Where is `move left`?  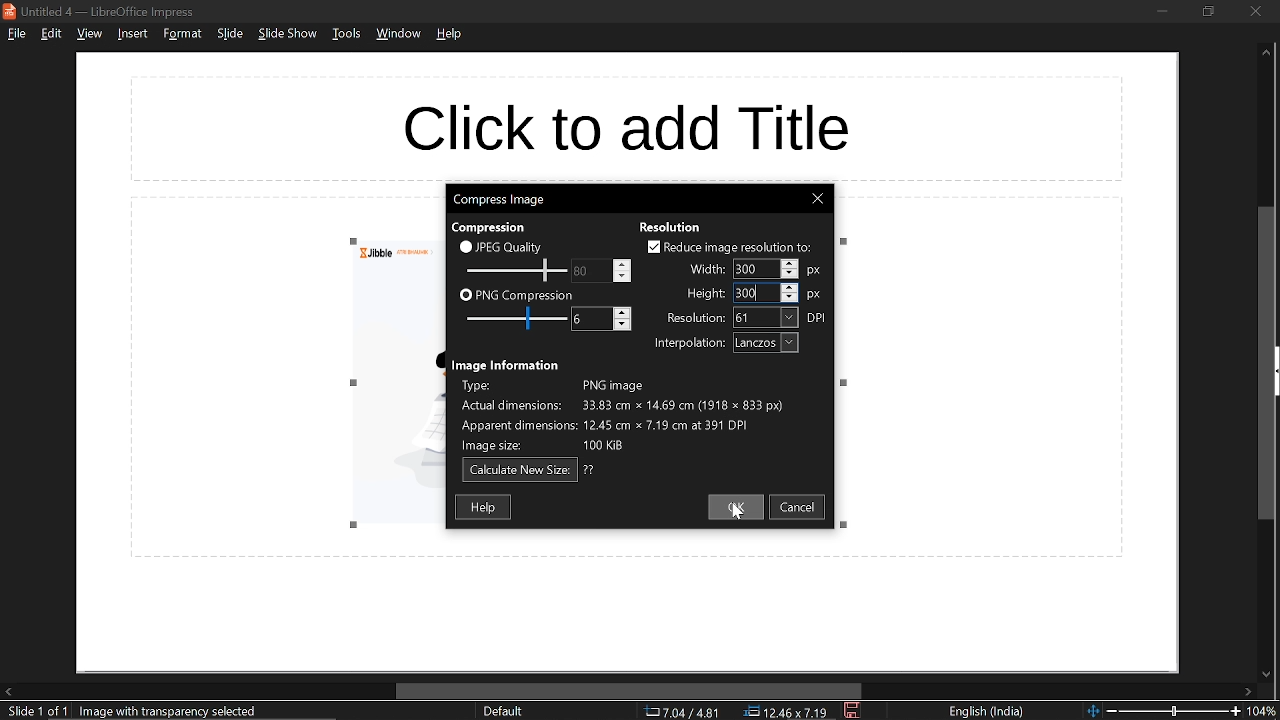 move left is located at coordinates (8, 692).